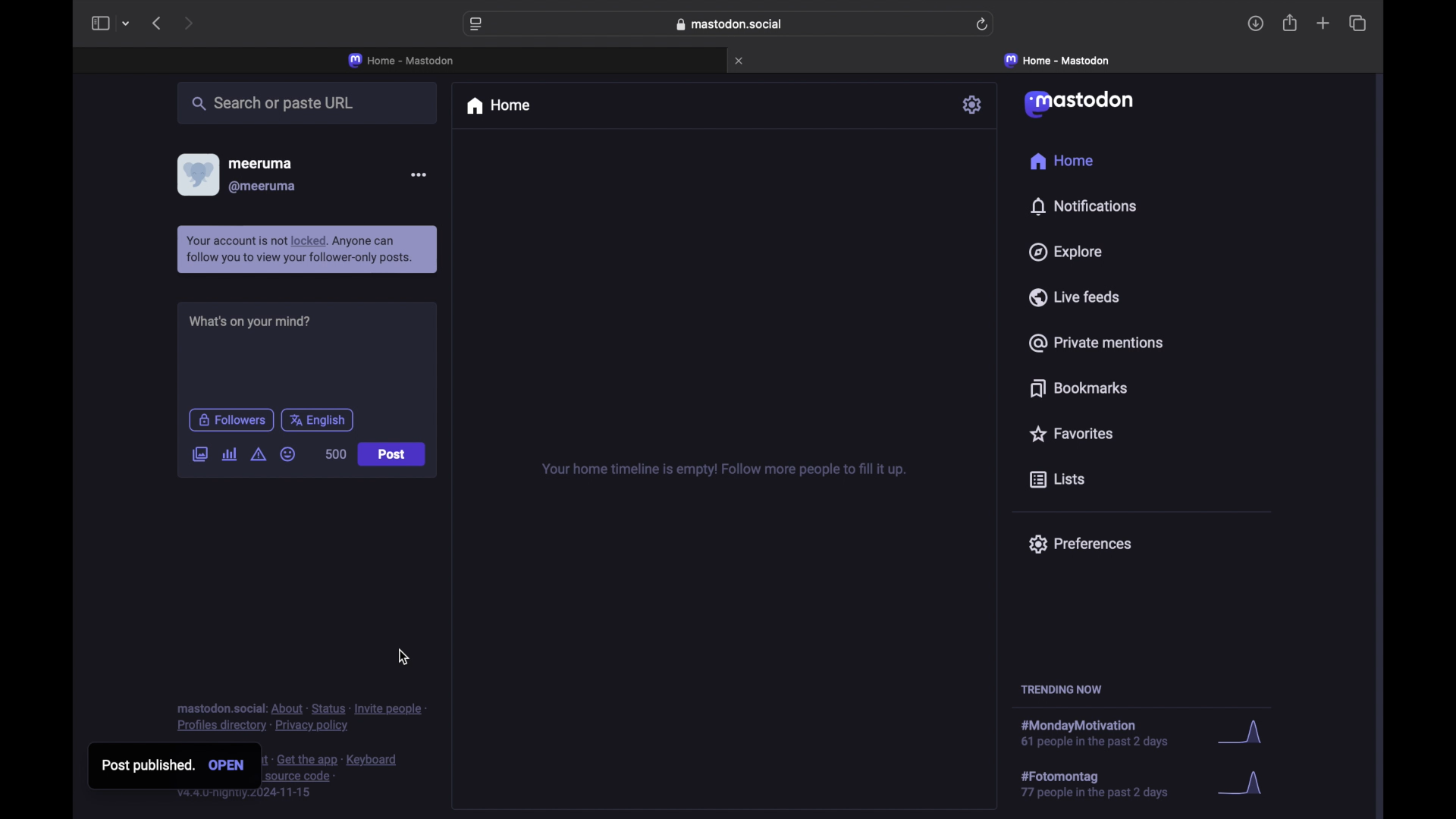 The image size is (1456, 819). Describe the element at coordinates (99, 24) in the screenshot. I see `sidebar` at that location.